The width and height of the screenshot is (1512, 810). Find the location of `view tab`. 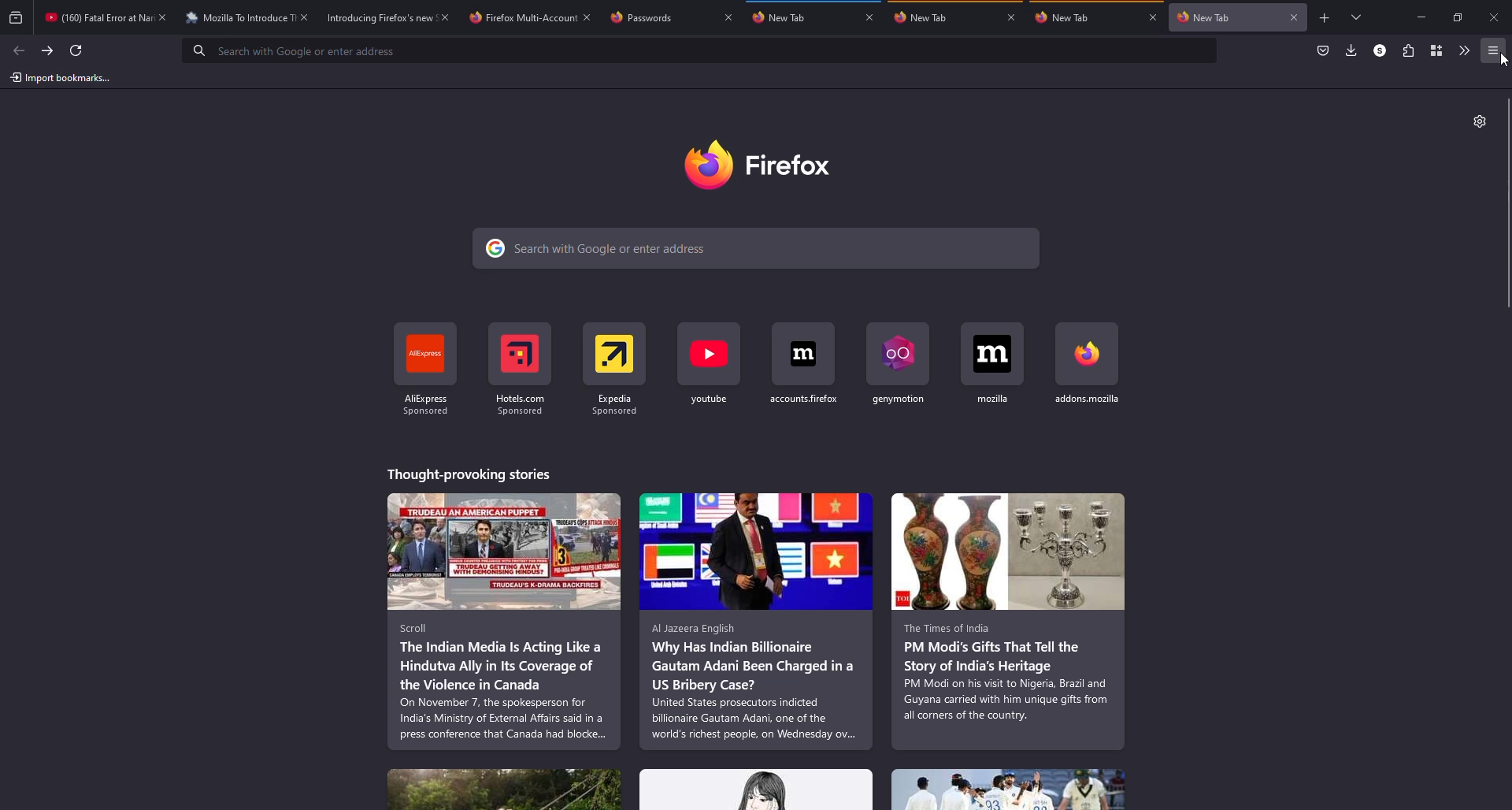

view tab is located at coordinates (1358, 17).